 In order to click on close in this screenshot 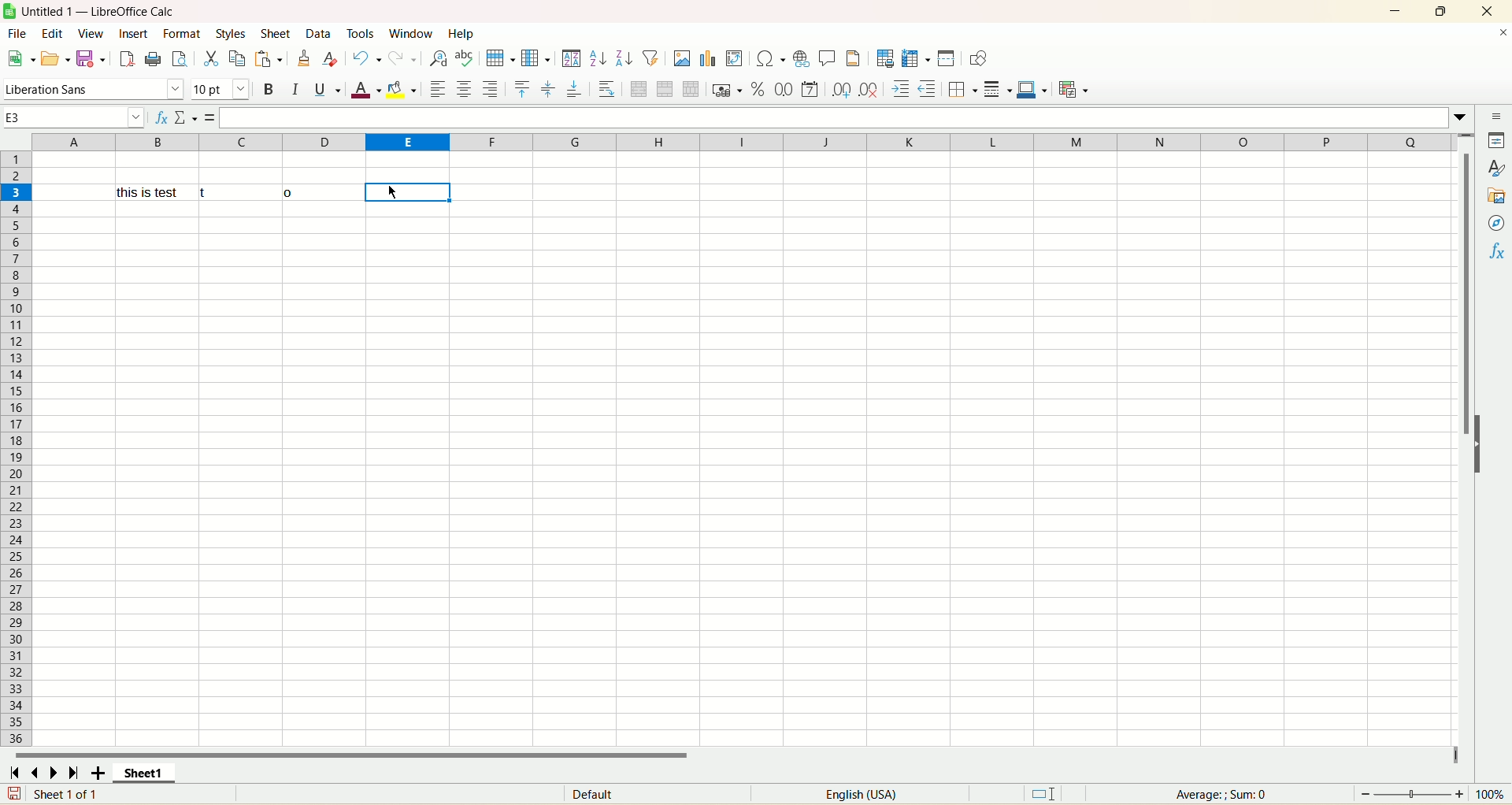, I will do `click(1484, 10)`.